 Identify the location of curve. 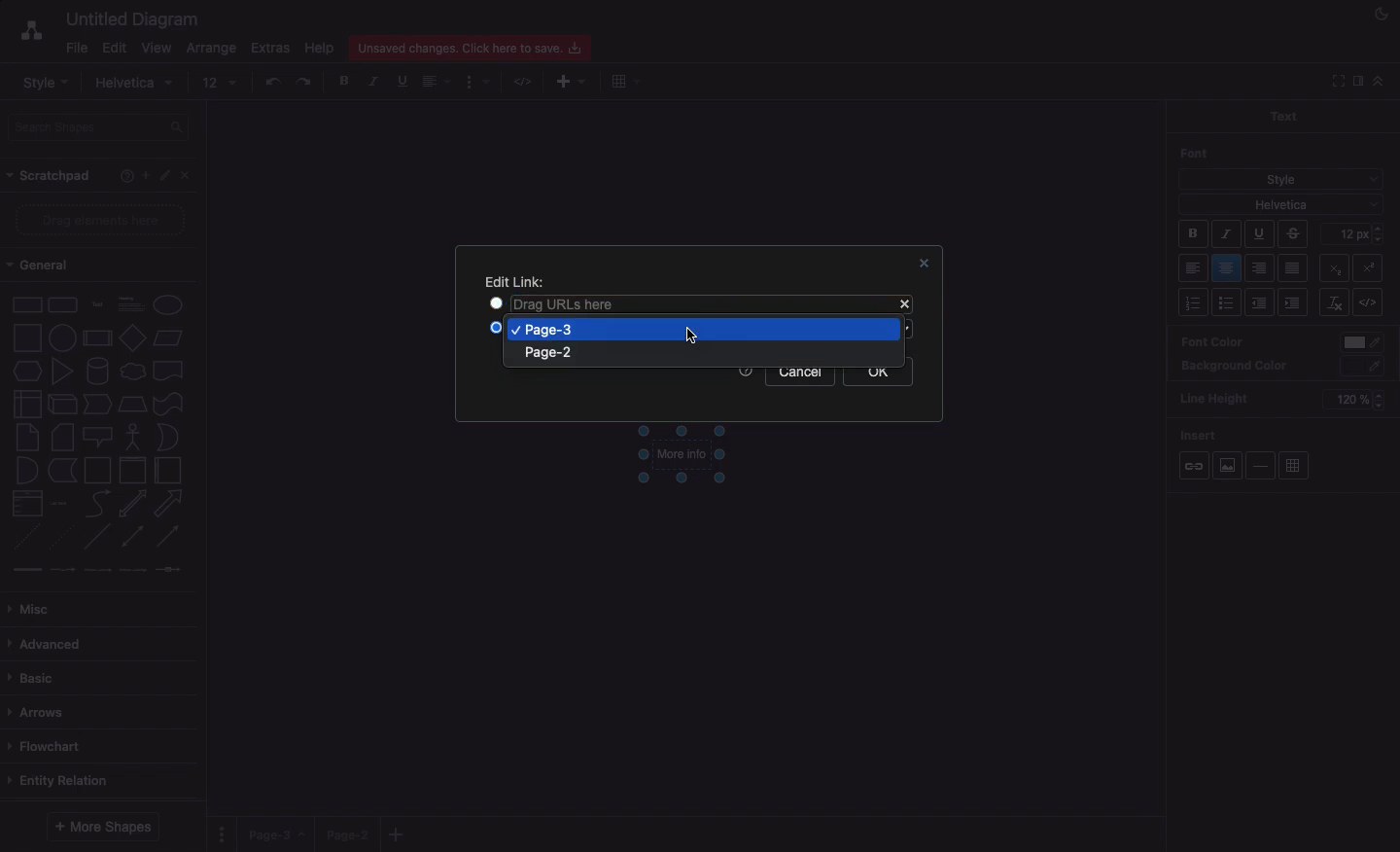
(98, 502).